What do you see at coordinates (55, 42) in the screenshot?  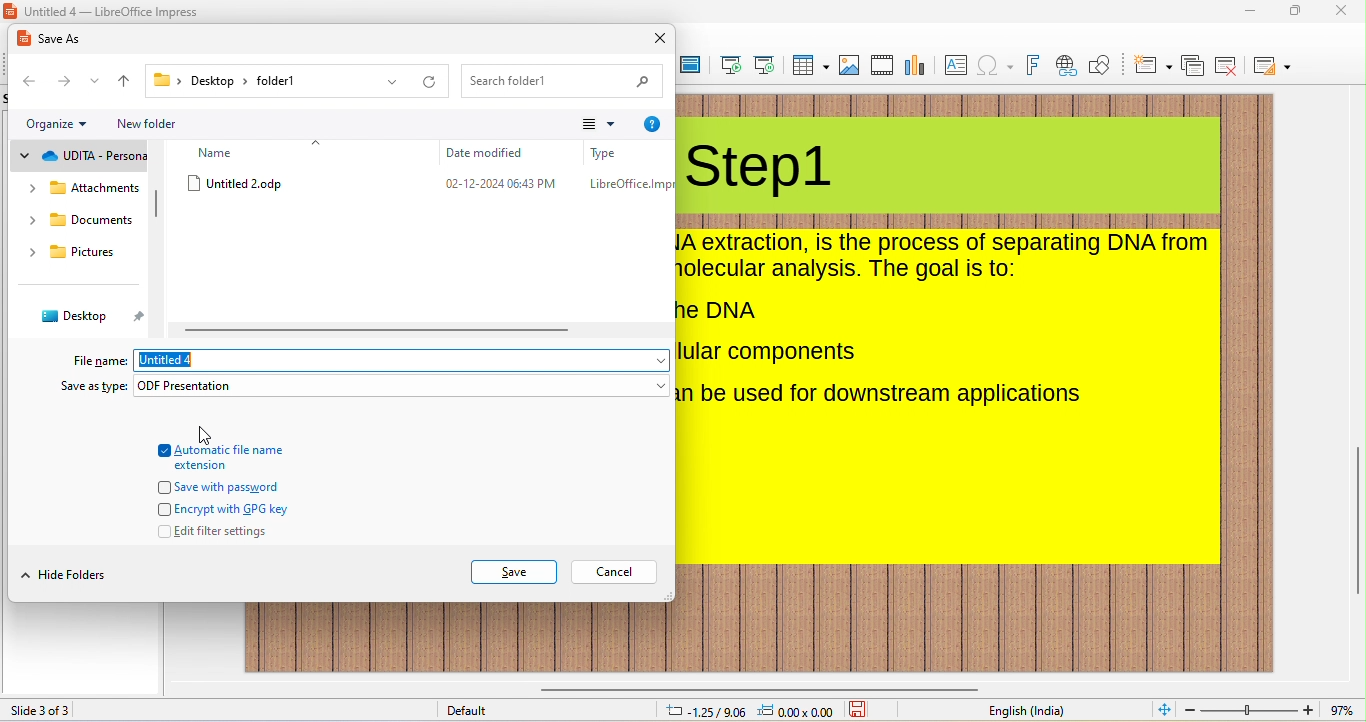 I see `save as` at bounding box center [55, 42].